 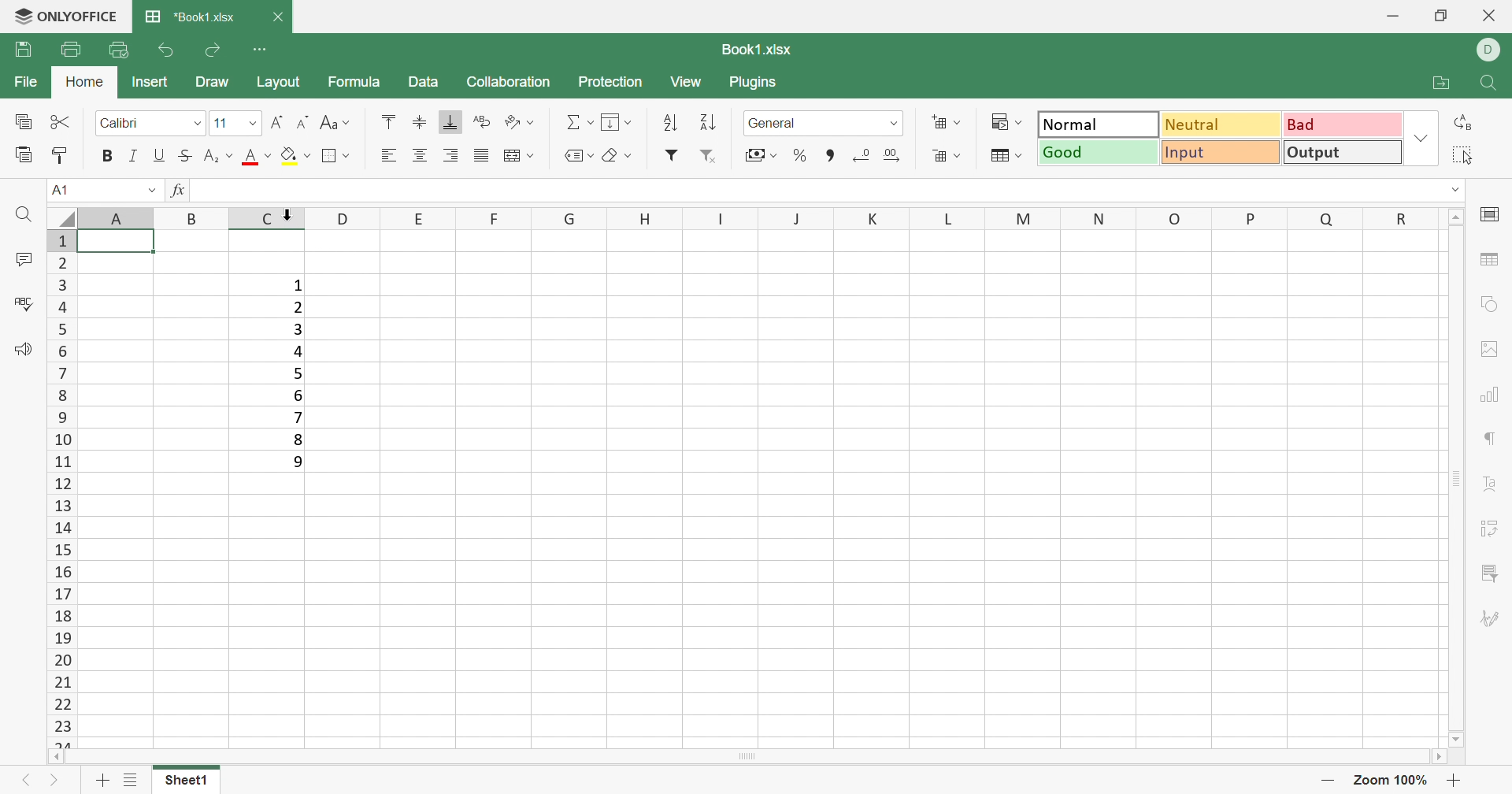 I want to click on Scroll Up, so click(x=1457, y=217).